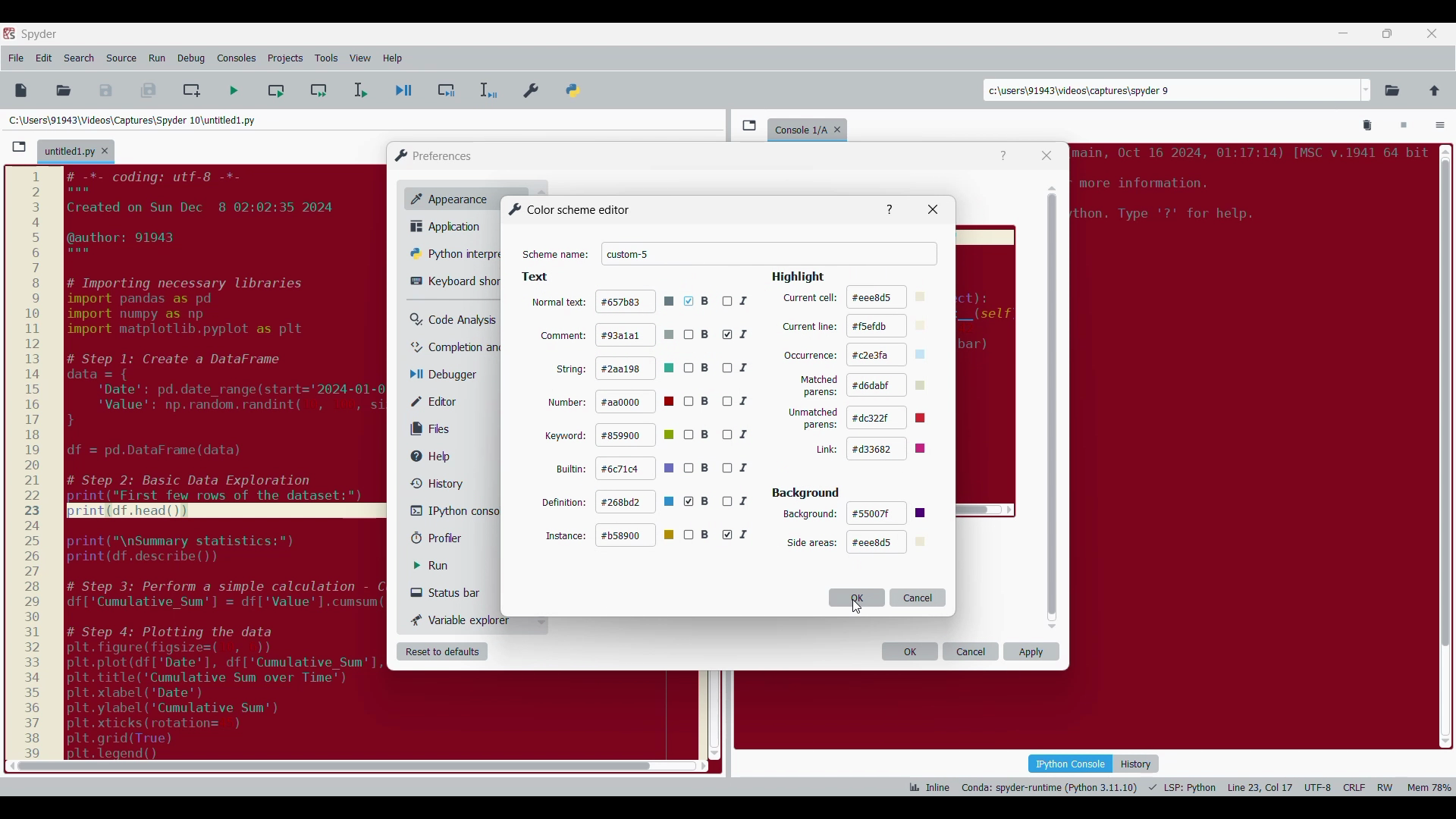 The height and width of the screenshot is (819, 1456). I want to click on matched parens, so click(819, 386).